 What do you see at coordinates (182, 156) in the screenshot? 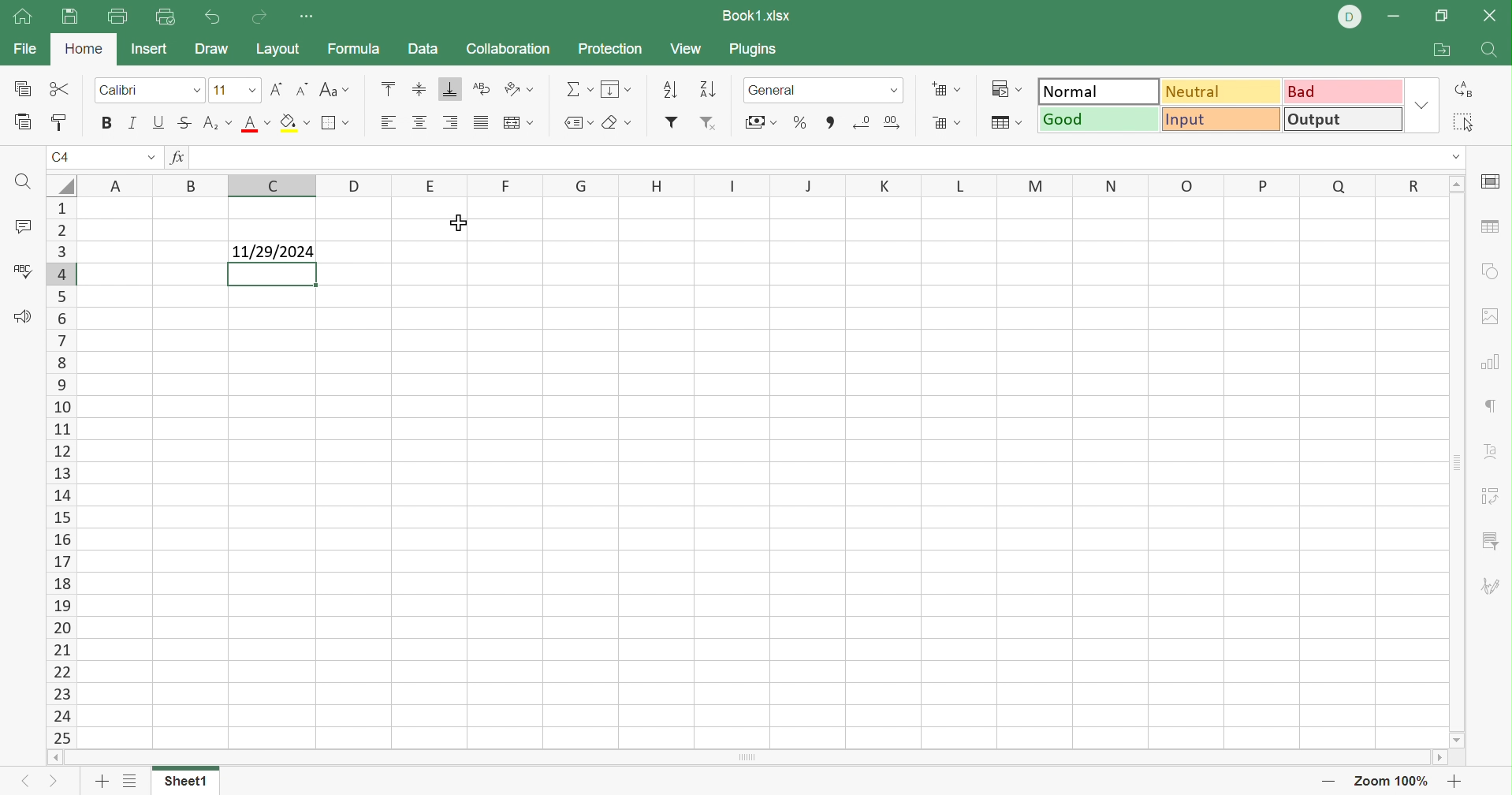
I see `fx` at bounding box center [182, 156].